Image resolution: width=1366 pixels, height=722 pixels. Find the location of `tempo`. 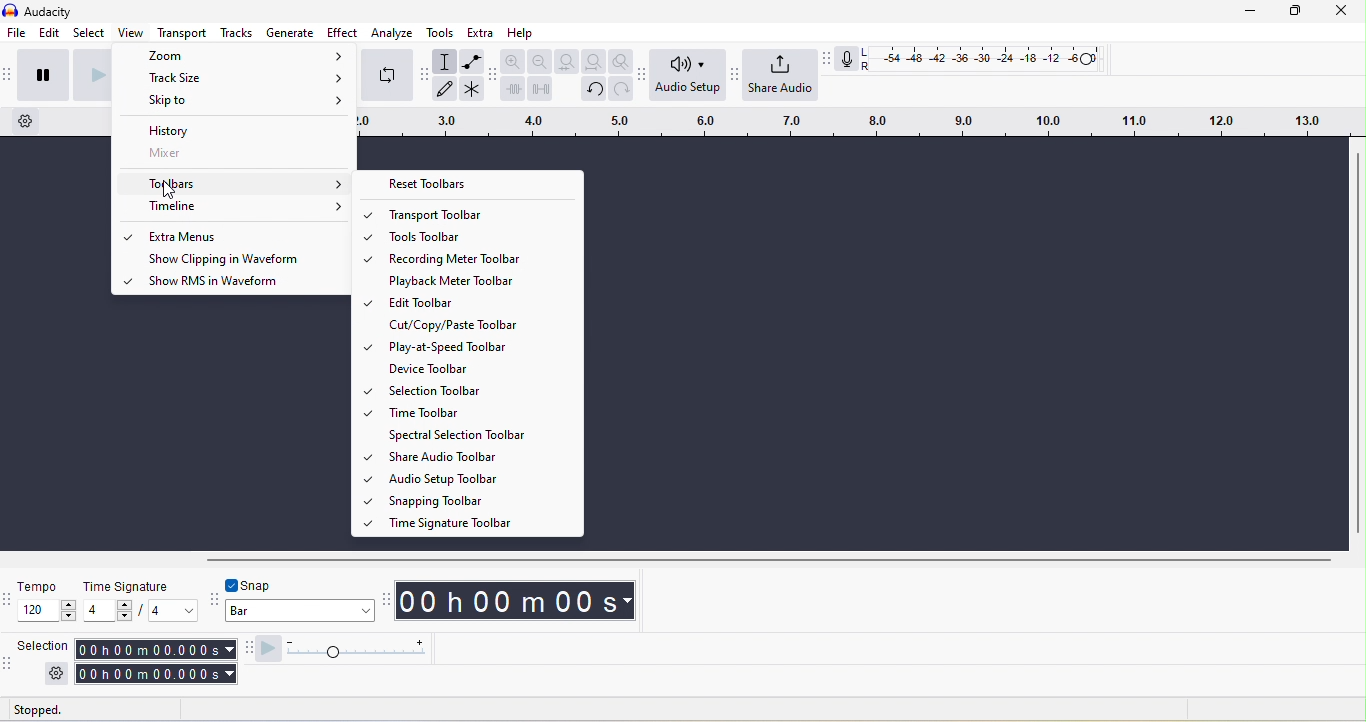

tempo is located at coordinates (40, 586).